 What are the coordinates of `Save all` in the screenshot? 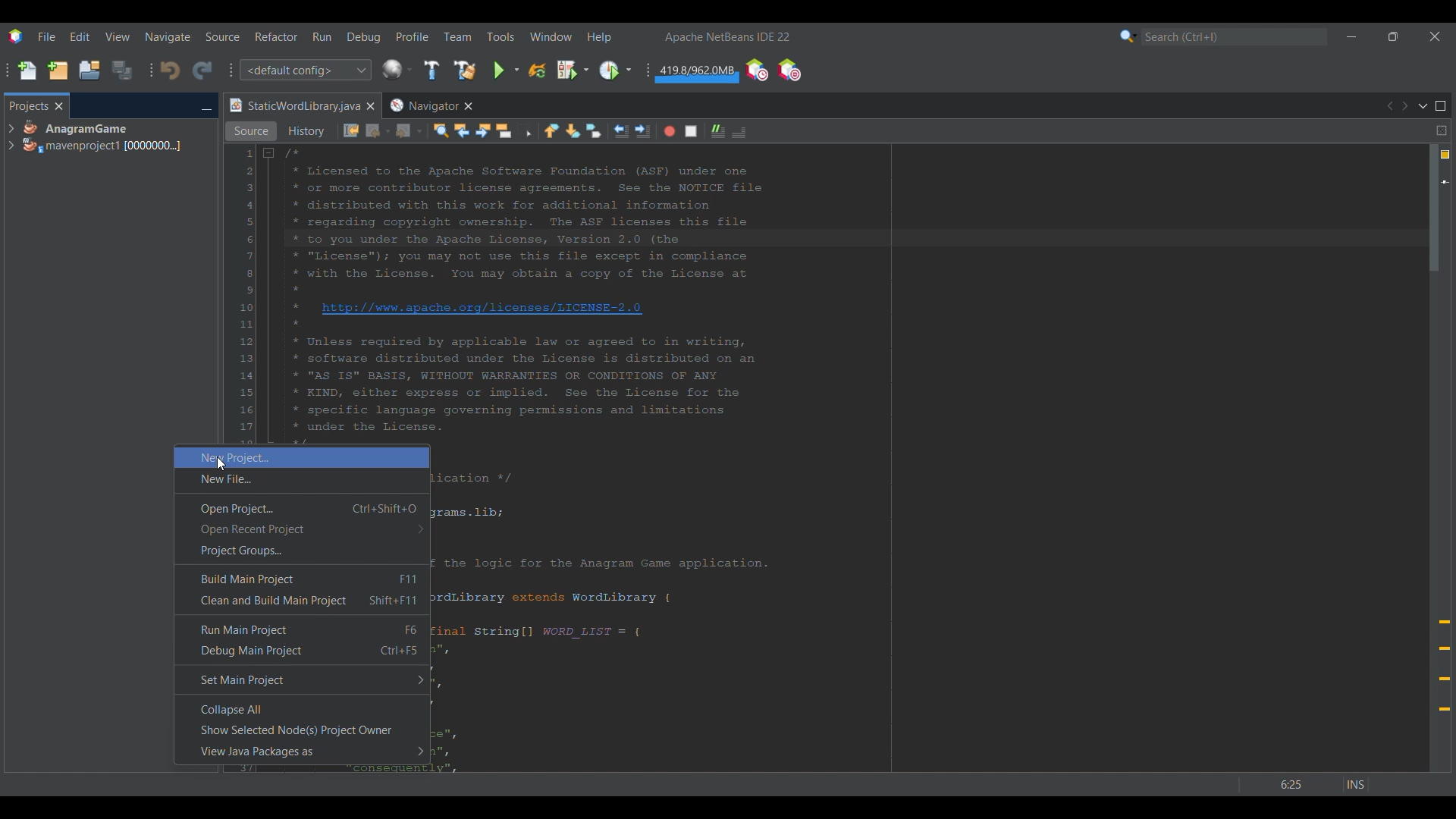 It's located at (122, 70).